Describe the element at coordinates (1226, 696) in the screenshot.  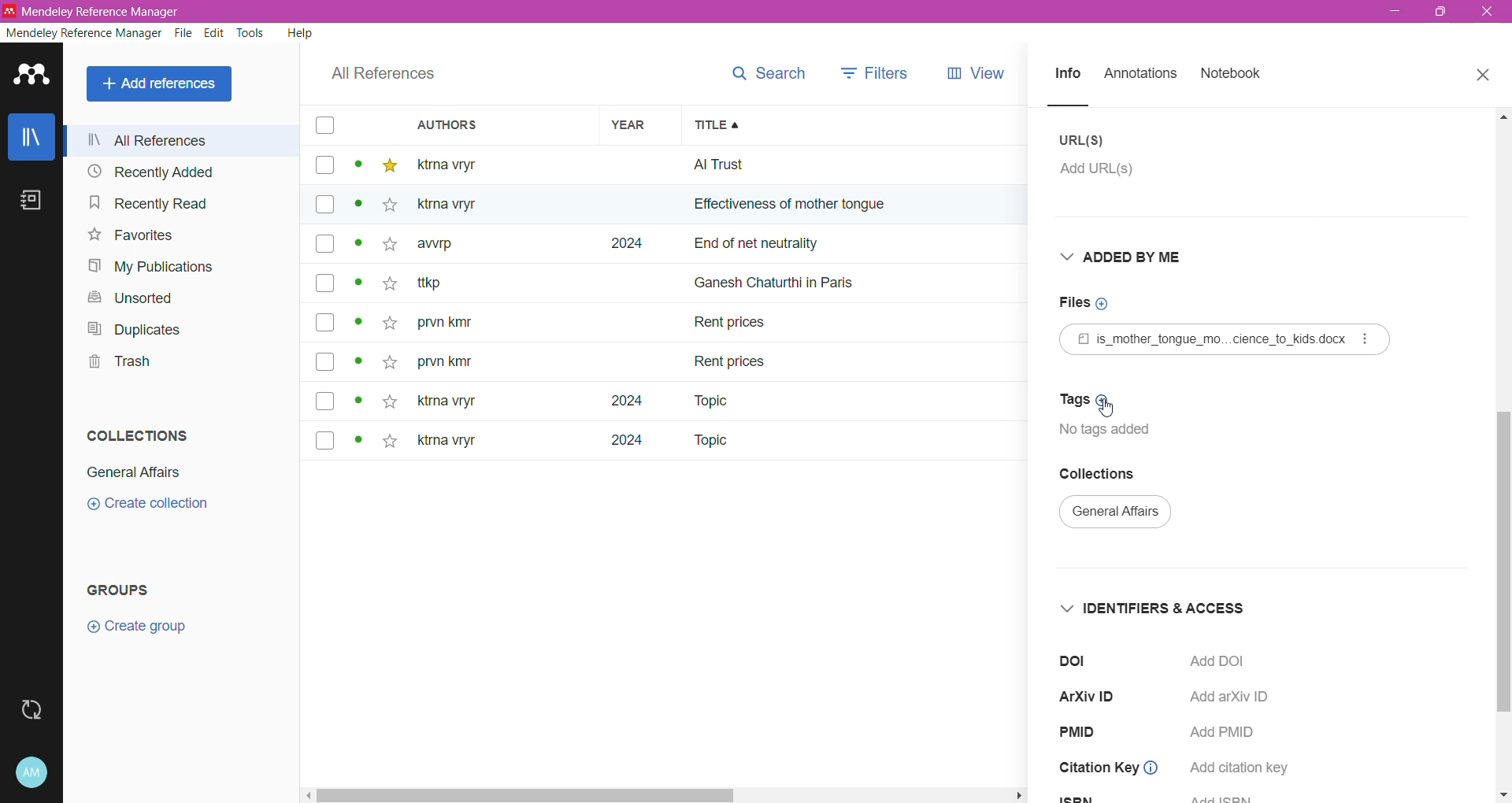
I see `Add arXiv ID` at that location.